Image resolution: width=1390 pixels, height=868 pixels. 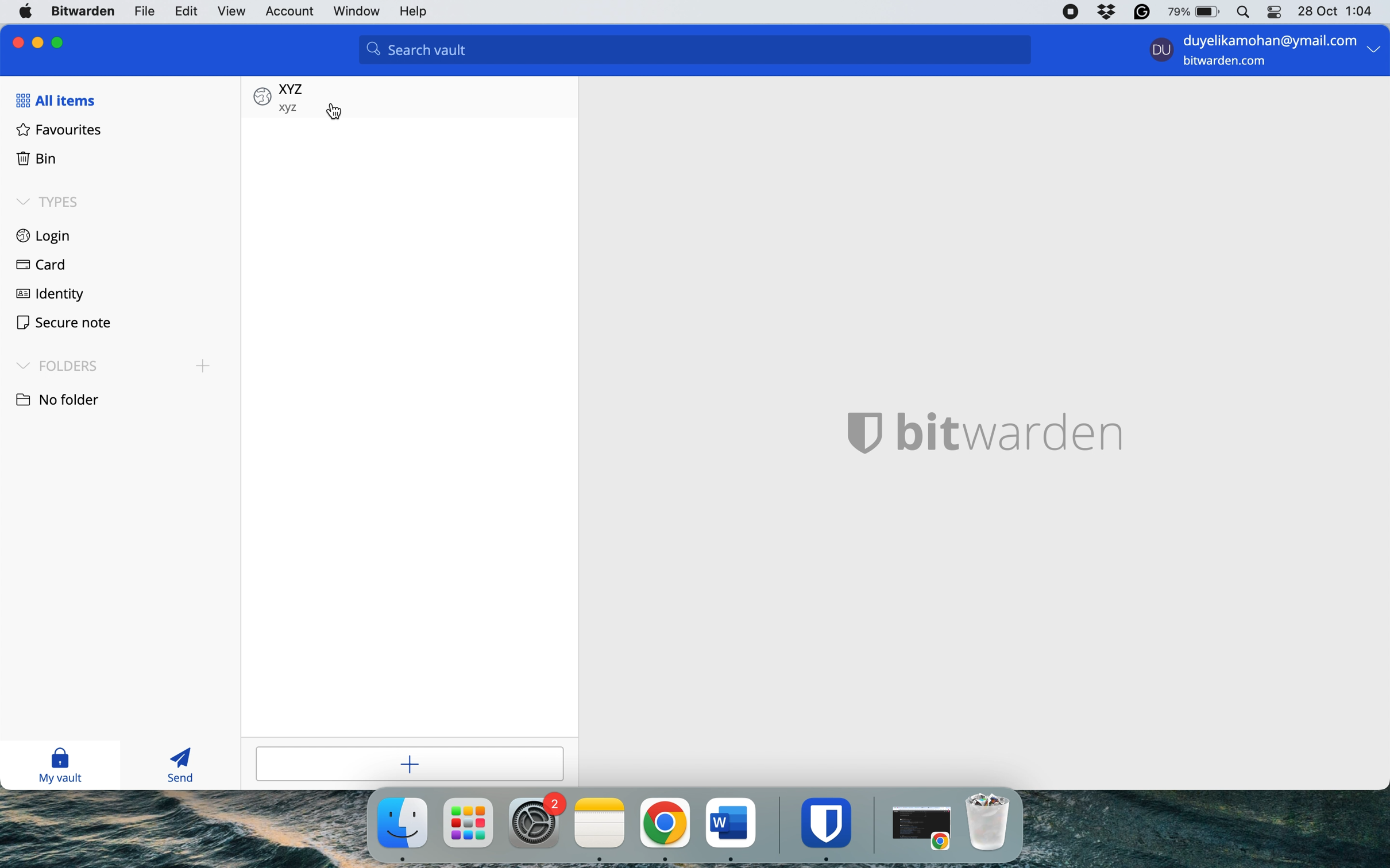 What do you see at coordinates (468, 822) in the screenshot?
I see `launchpad` at bounding box center [468, 822].